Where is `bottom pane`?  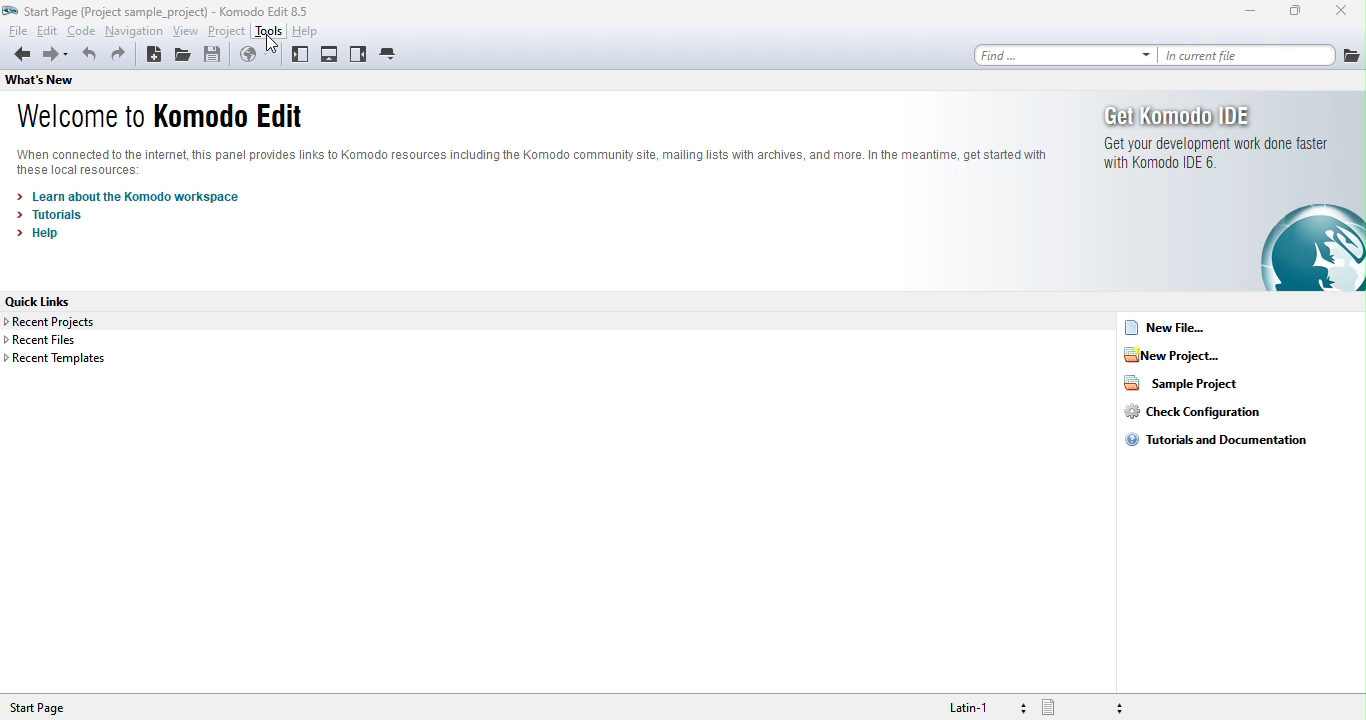 bottom pane is located at coordinates (330, 55).